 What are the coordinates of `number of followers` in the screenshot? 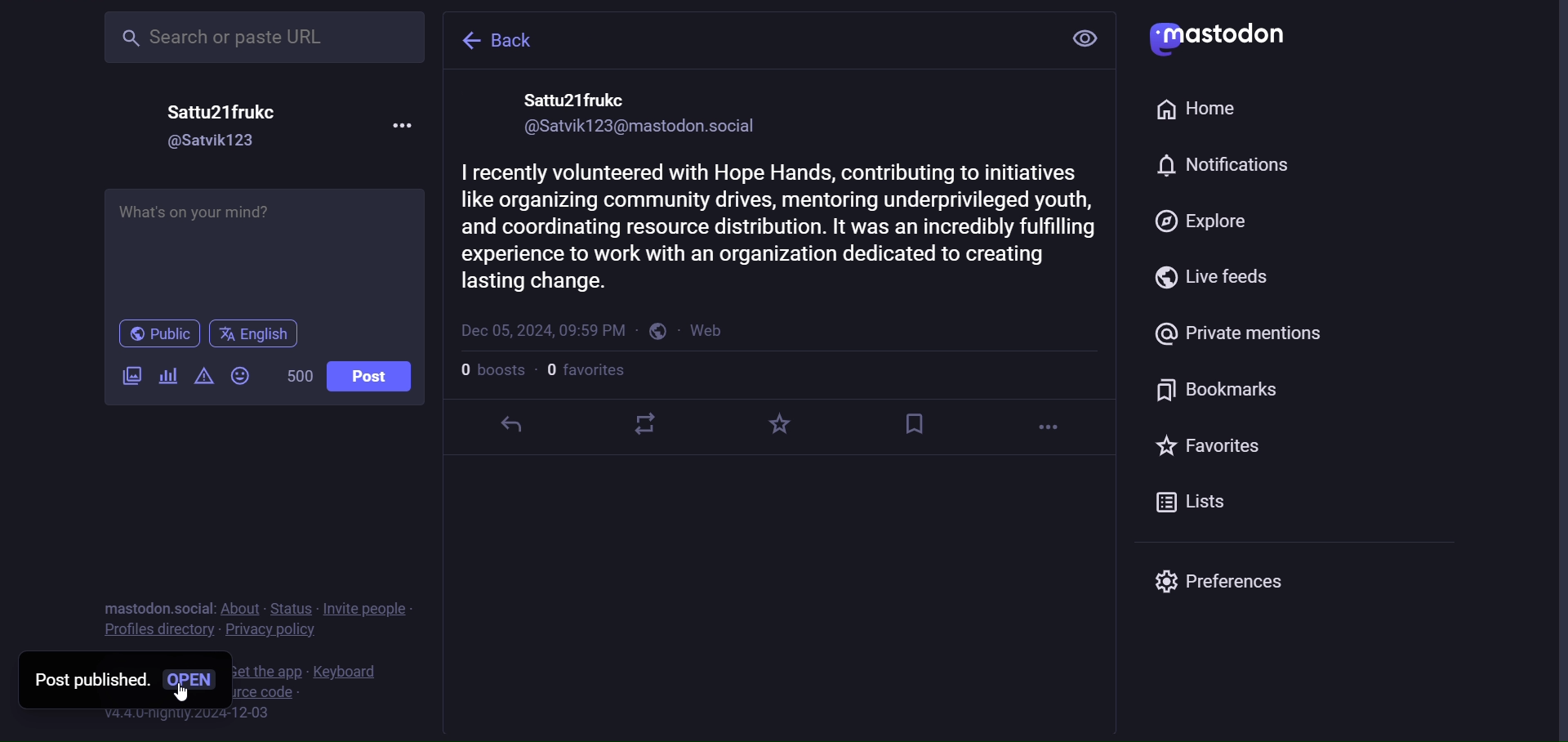 It's located at (583, 372).